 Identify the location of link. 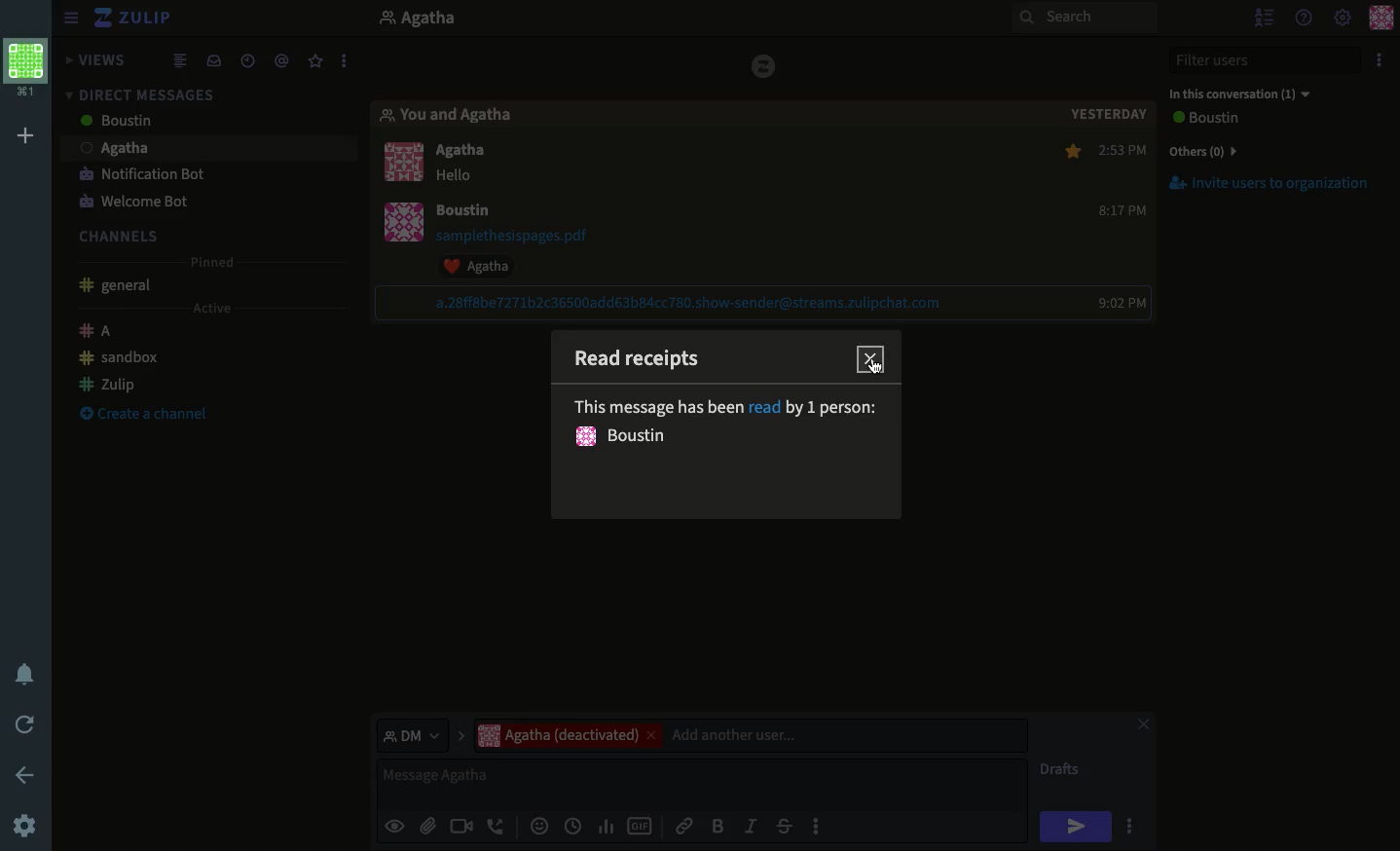
(690, 303).